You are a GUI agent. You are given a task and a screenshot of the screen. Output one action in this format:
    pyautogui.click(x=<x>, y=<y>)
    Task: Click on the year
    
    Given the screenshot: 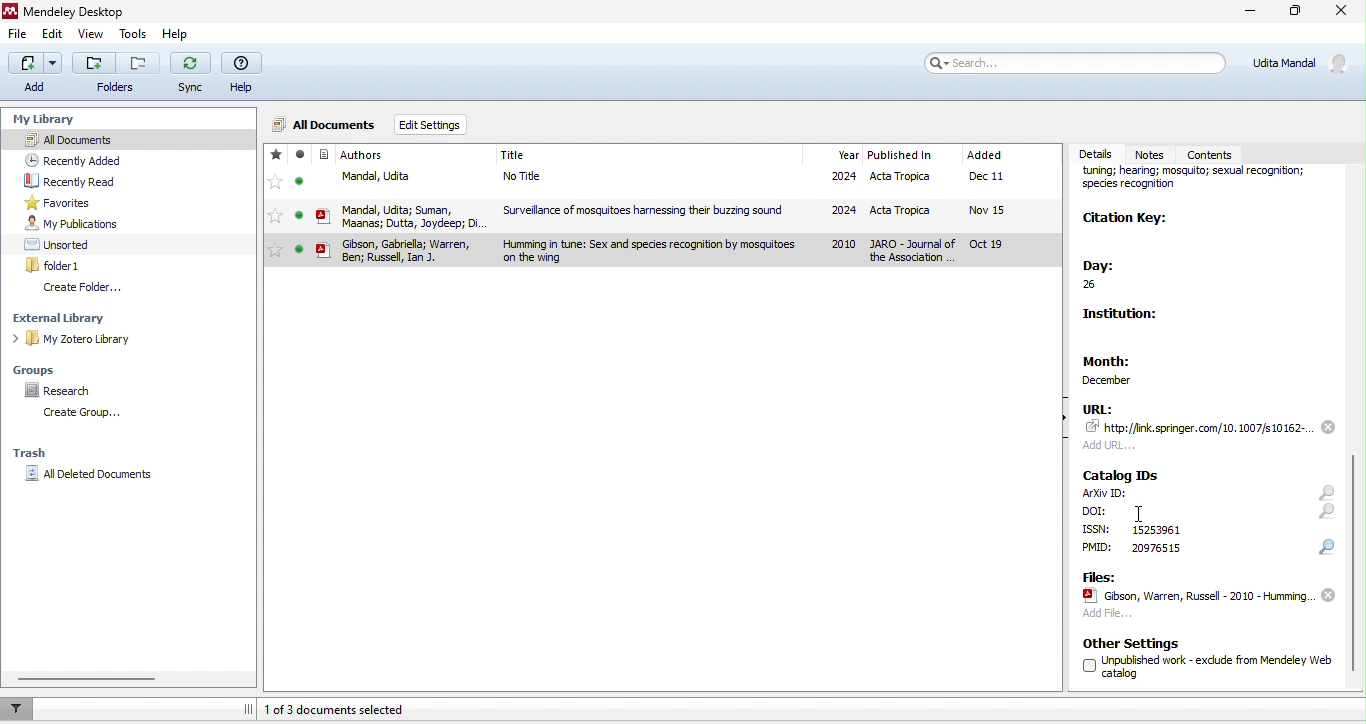 What is the action you would take?
    pyautogui.click(x=847, y=155)
    